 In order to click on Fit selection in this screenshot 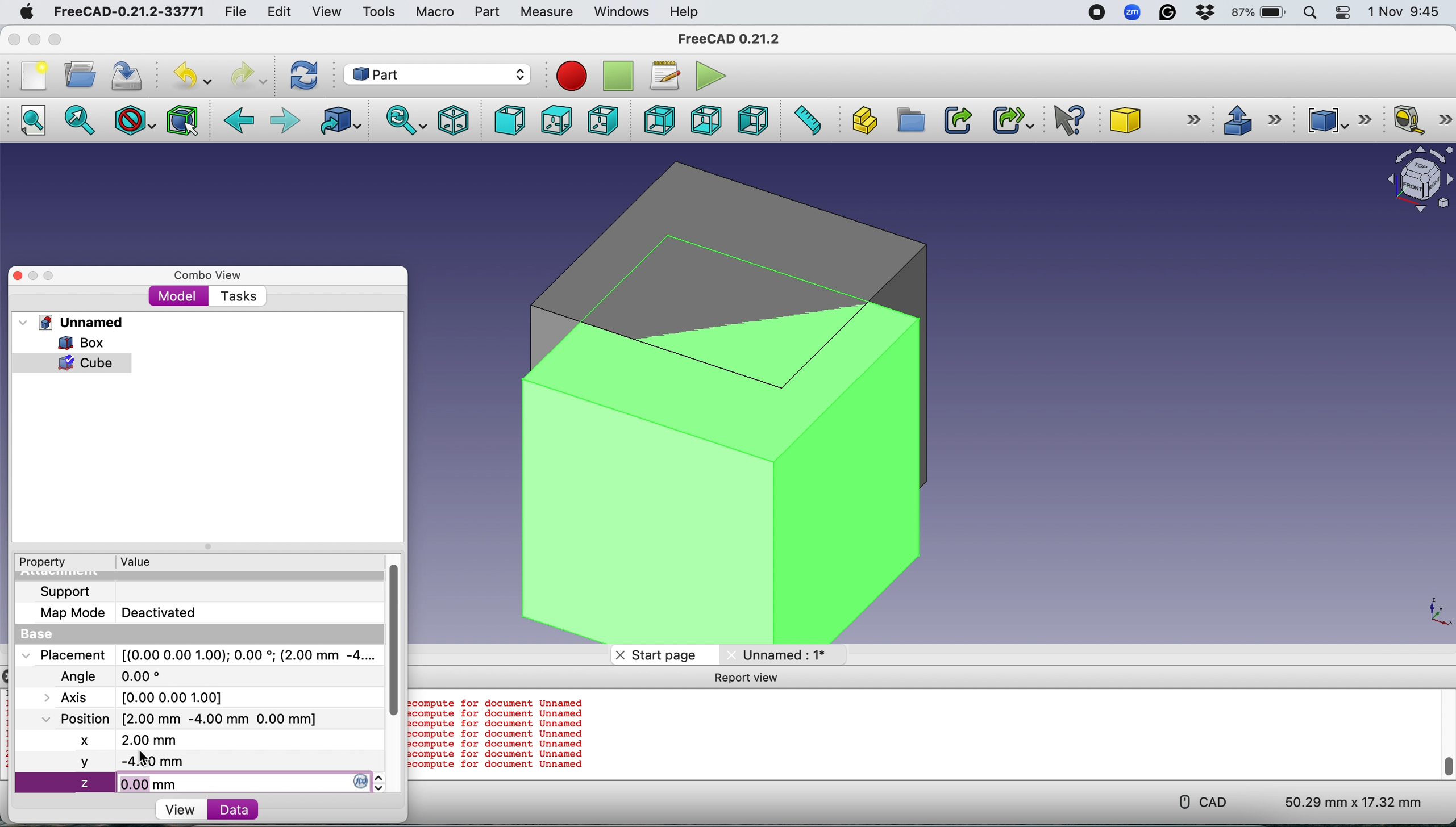, I will do `click(81, 122)`.